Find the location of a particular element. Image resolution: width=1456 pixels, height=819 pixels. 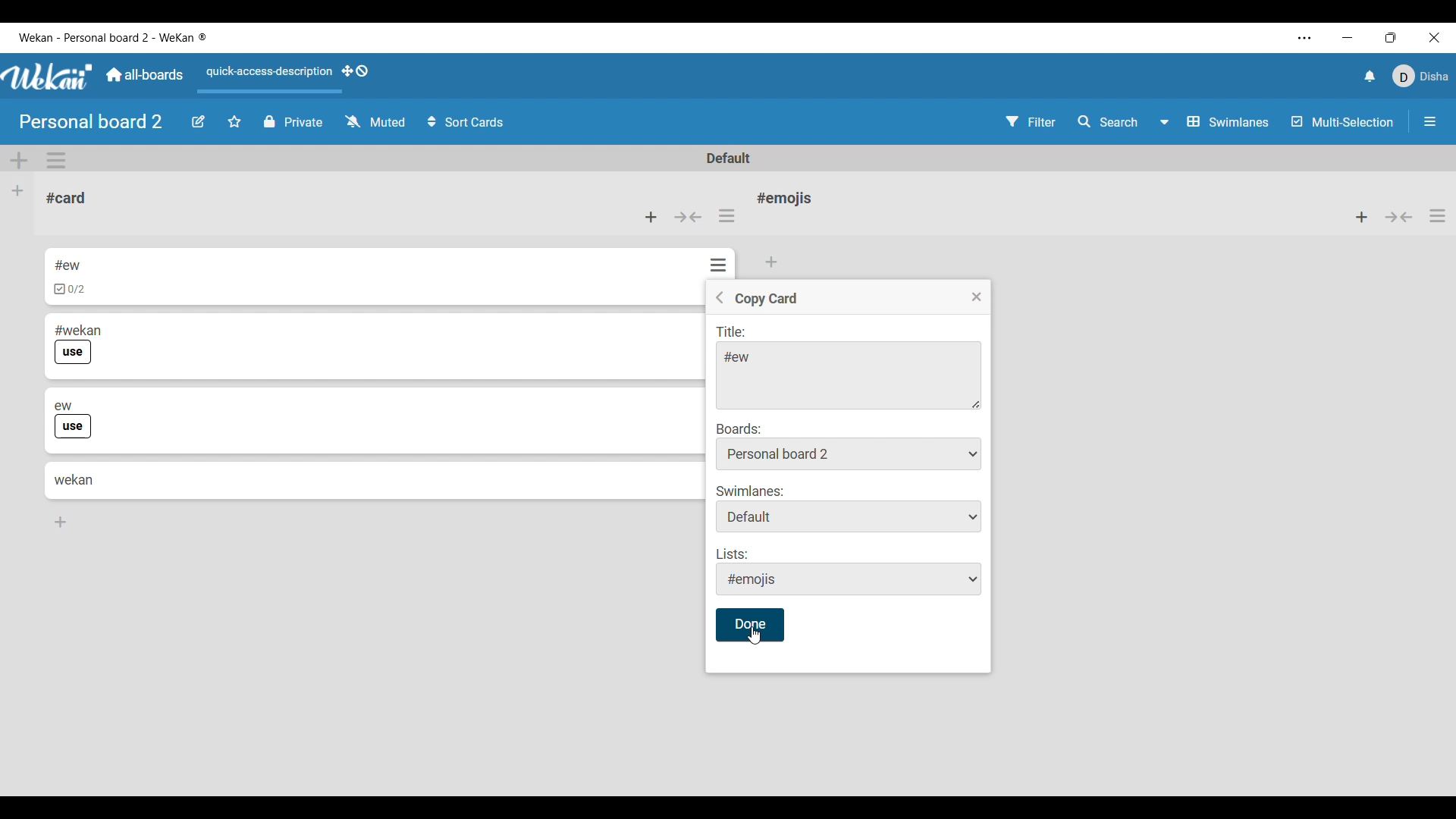

Open/Close sidebar is located at coordinates (1430, 121).